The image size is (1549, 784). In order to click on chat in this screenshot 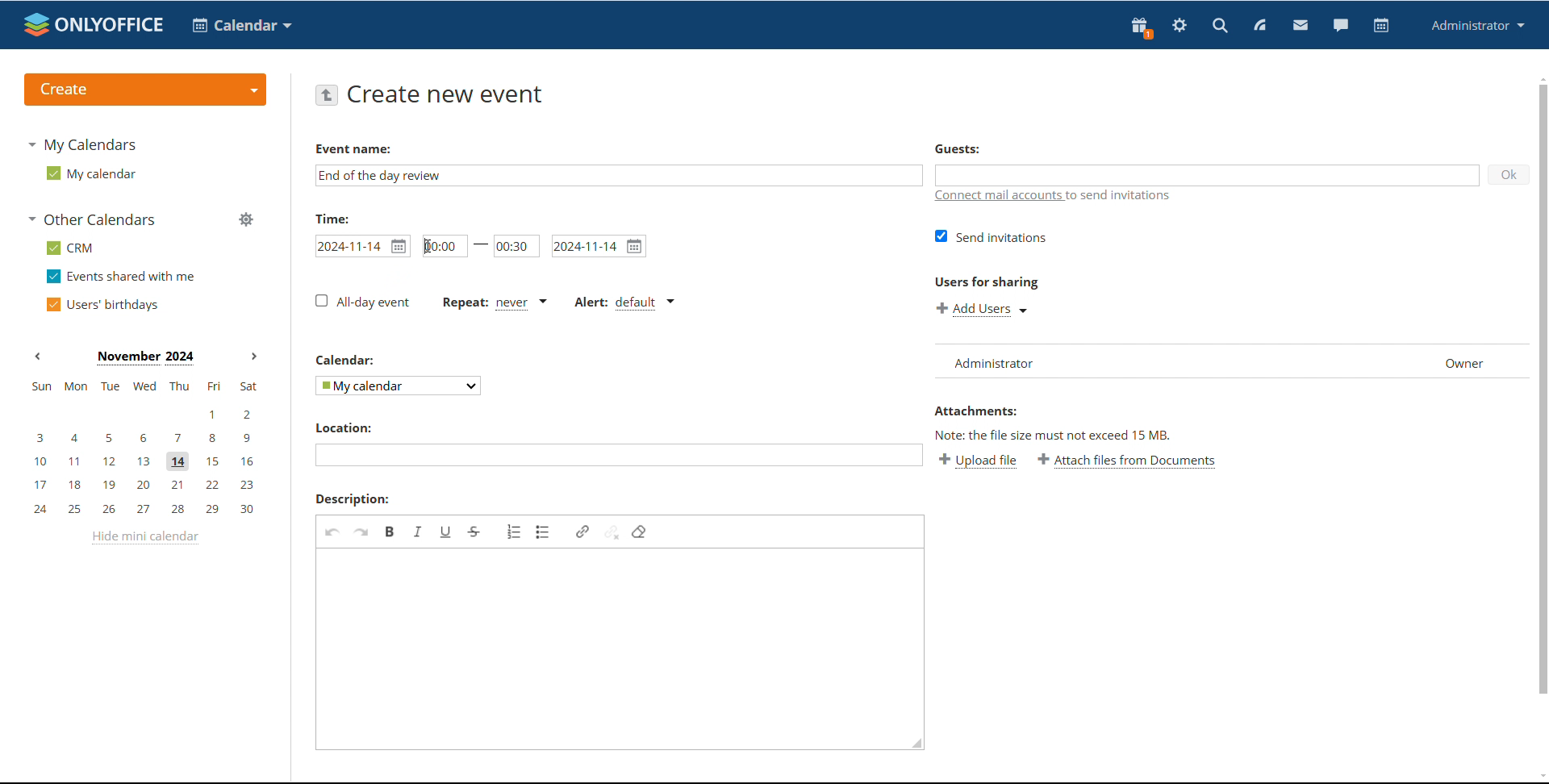, I will do `click(1341, 26)`.